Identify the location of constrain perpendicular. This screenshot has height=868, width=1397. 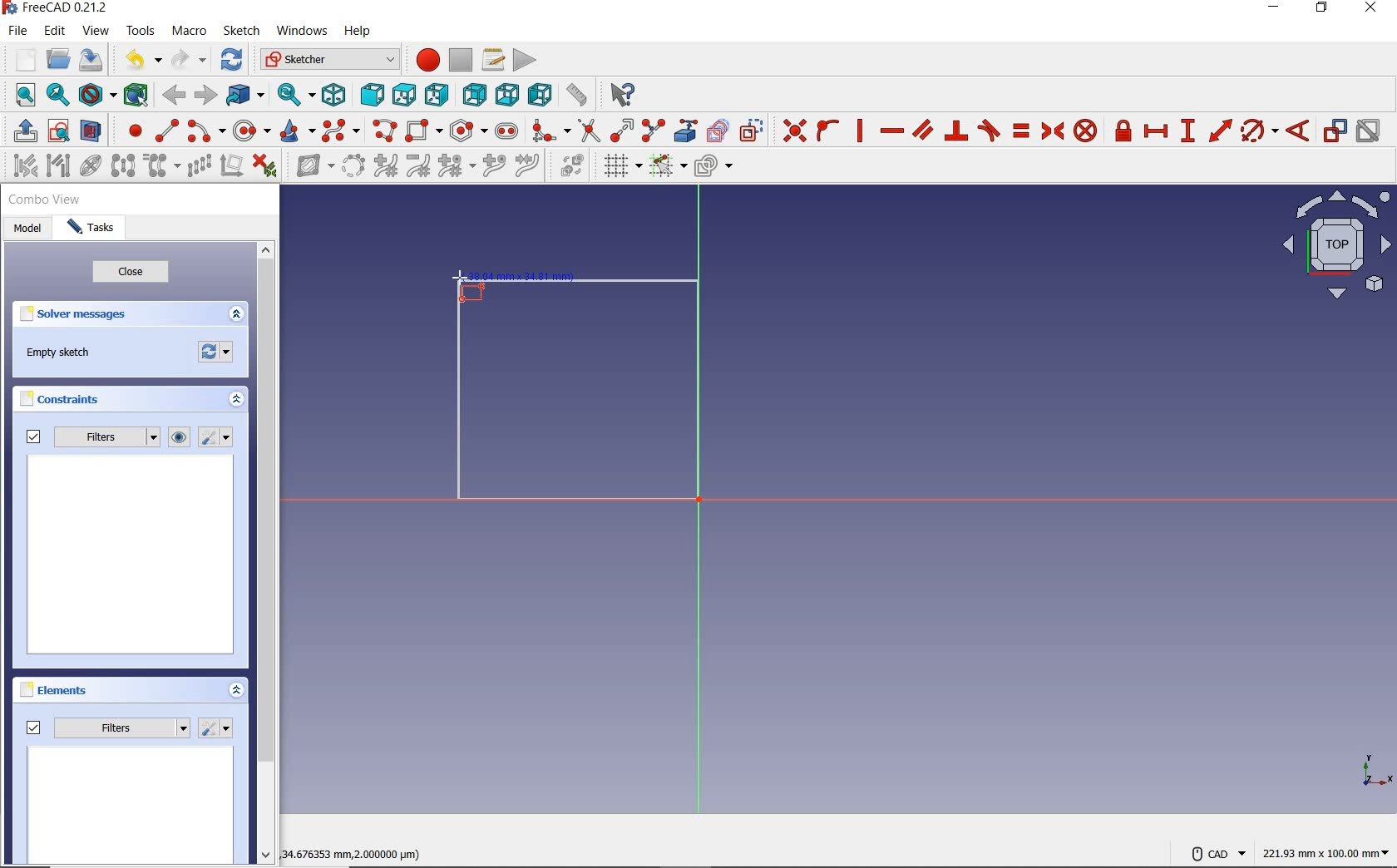
(956, 131).